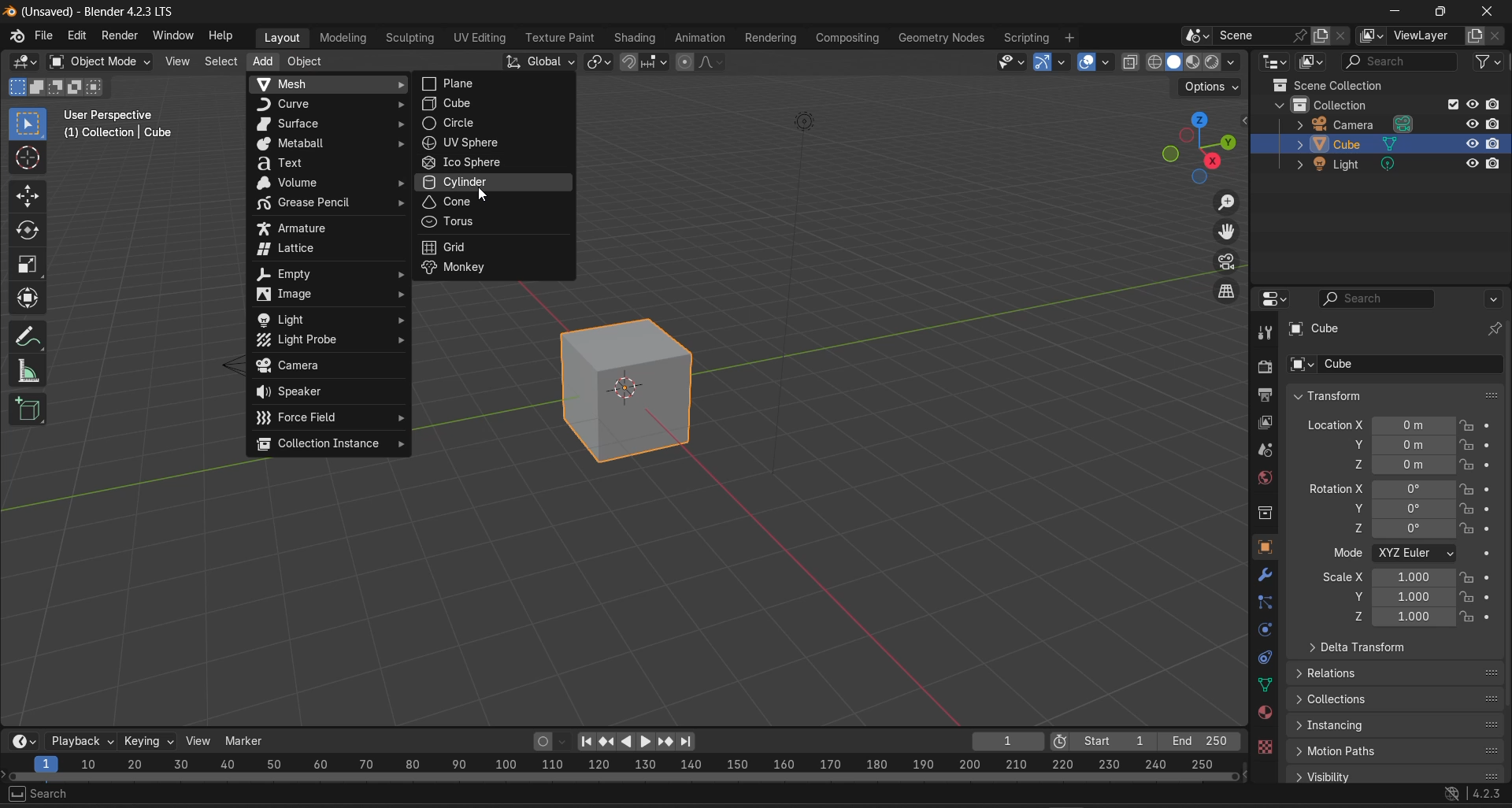 This screenshot has width=1512, height=808. I want to click on force field, so click(329, 417).